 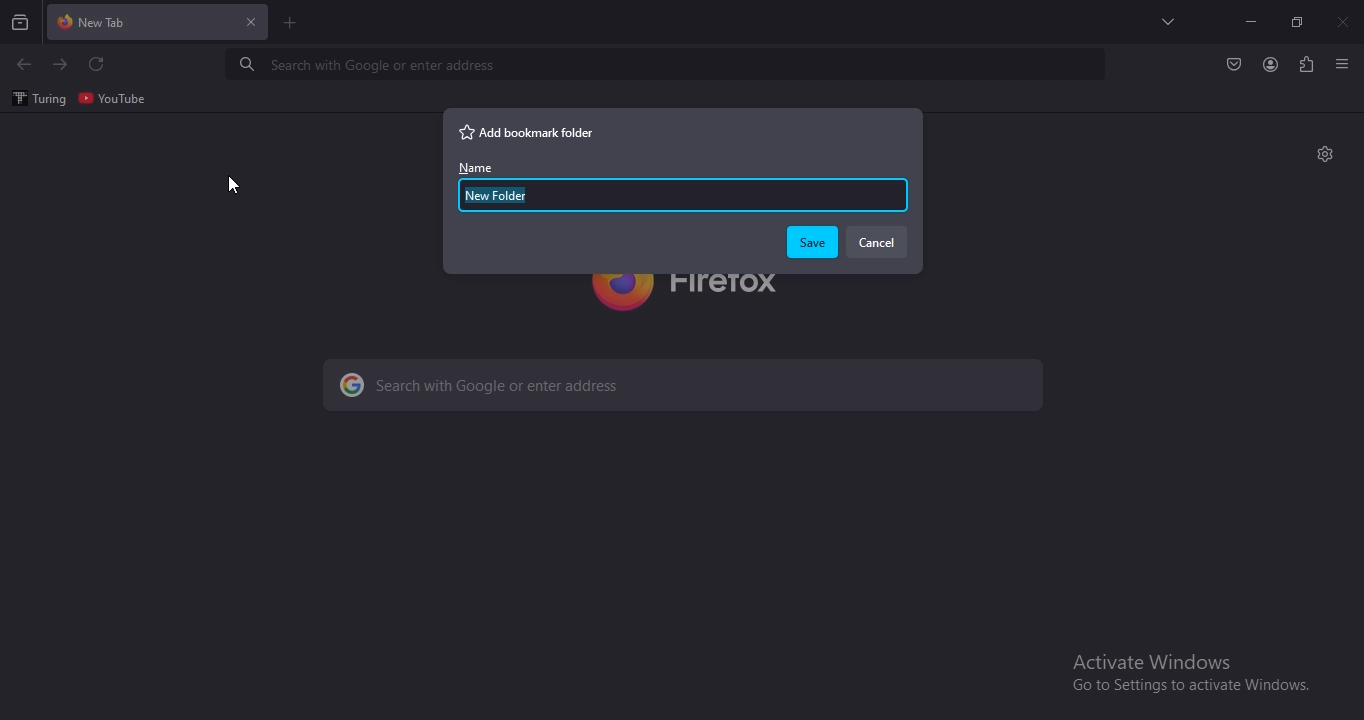 What do you see at coordinates (567, 382) in the screenshot?
I see `search with Google or enter address` at bounding box center [567, 382].